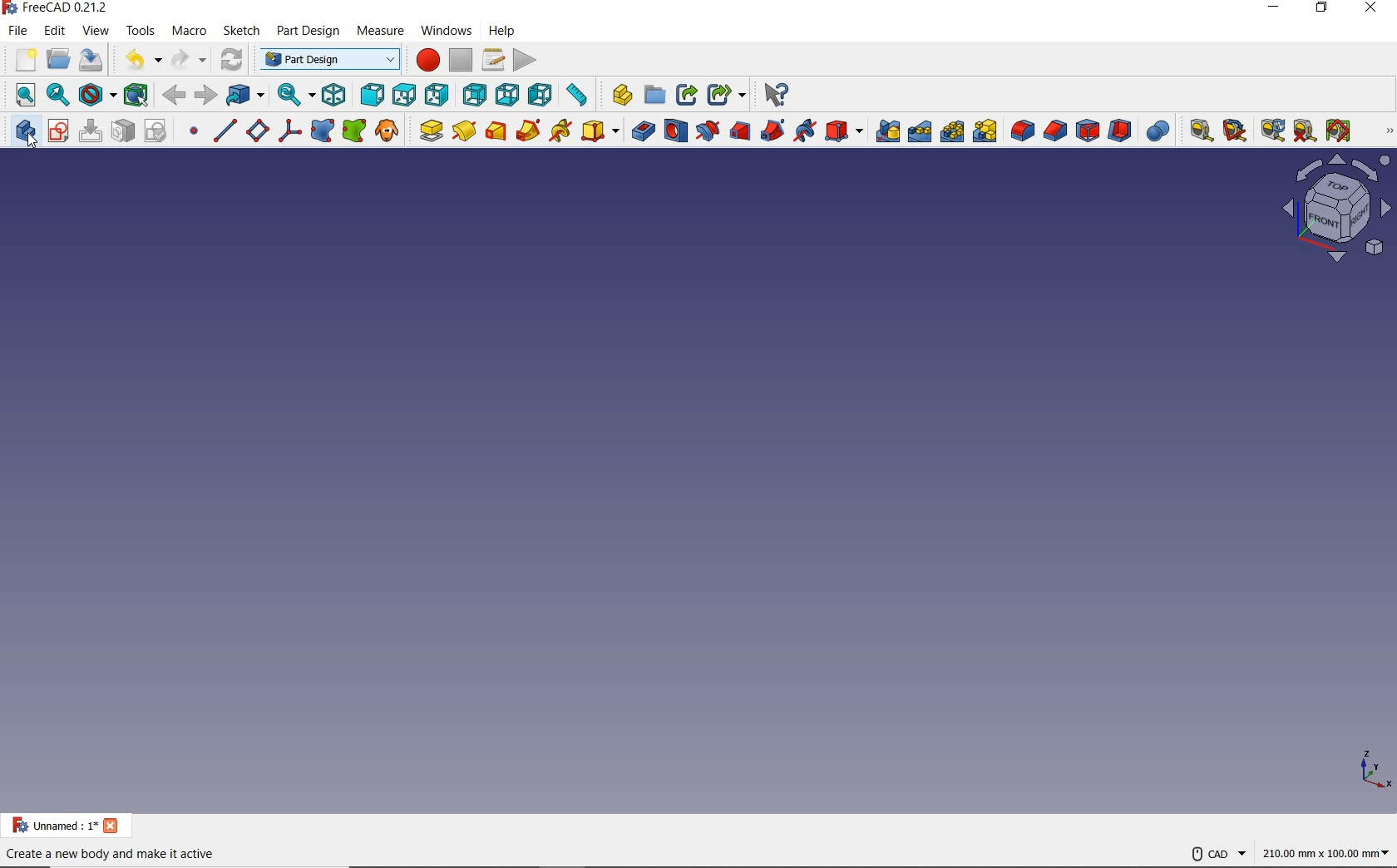 The width and height of the screenshot is (1397, 868). What do you see at coordinates (1340, 210) in the screenshot?
I see `SKETCH VIEW` at bounding box center [1340, 210].